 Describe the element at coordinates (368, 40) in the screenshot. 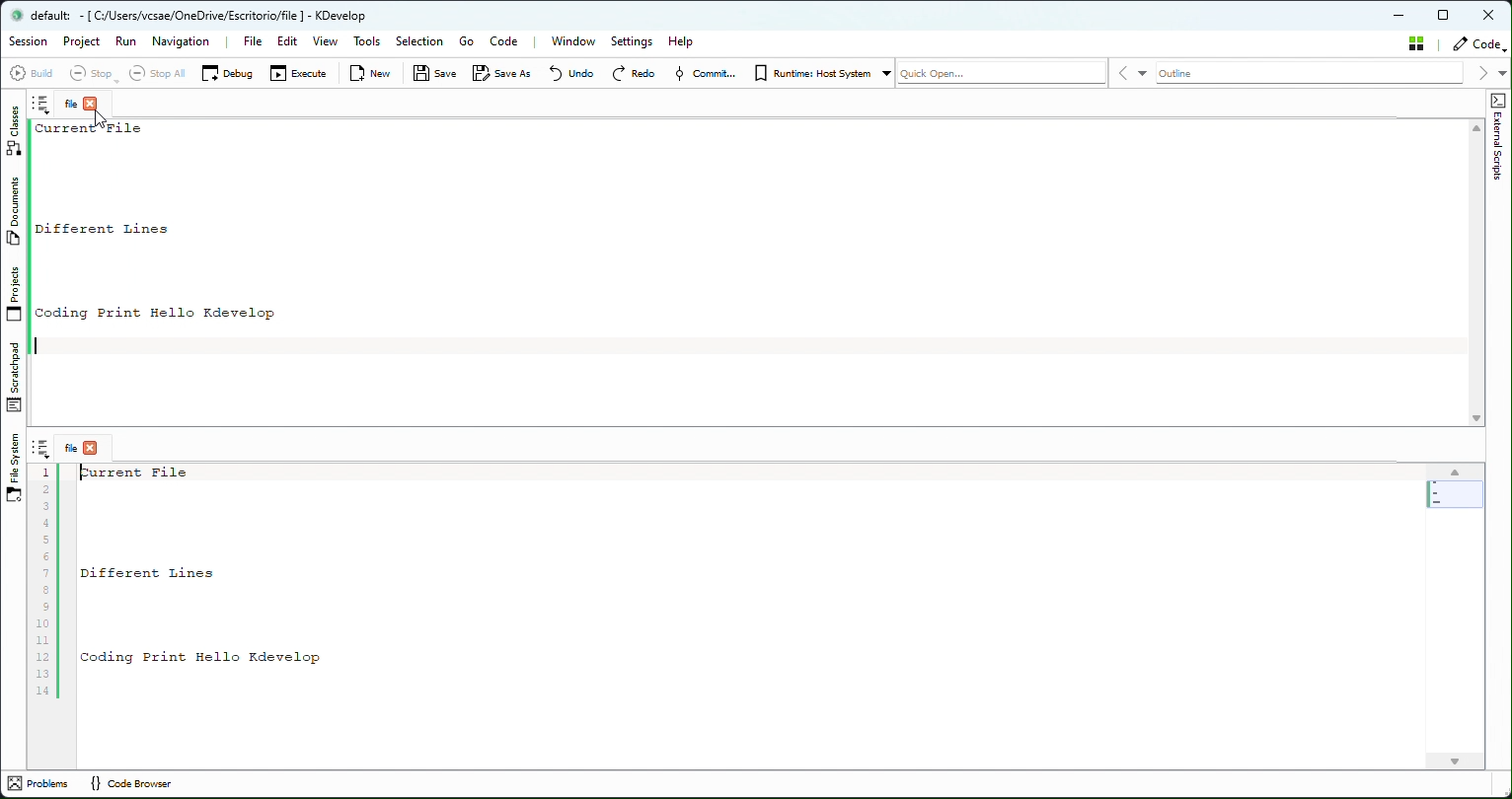

I see `Tools` at that location.